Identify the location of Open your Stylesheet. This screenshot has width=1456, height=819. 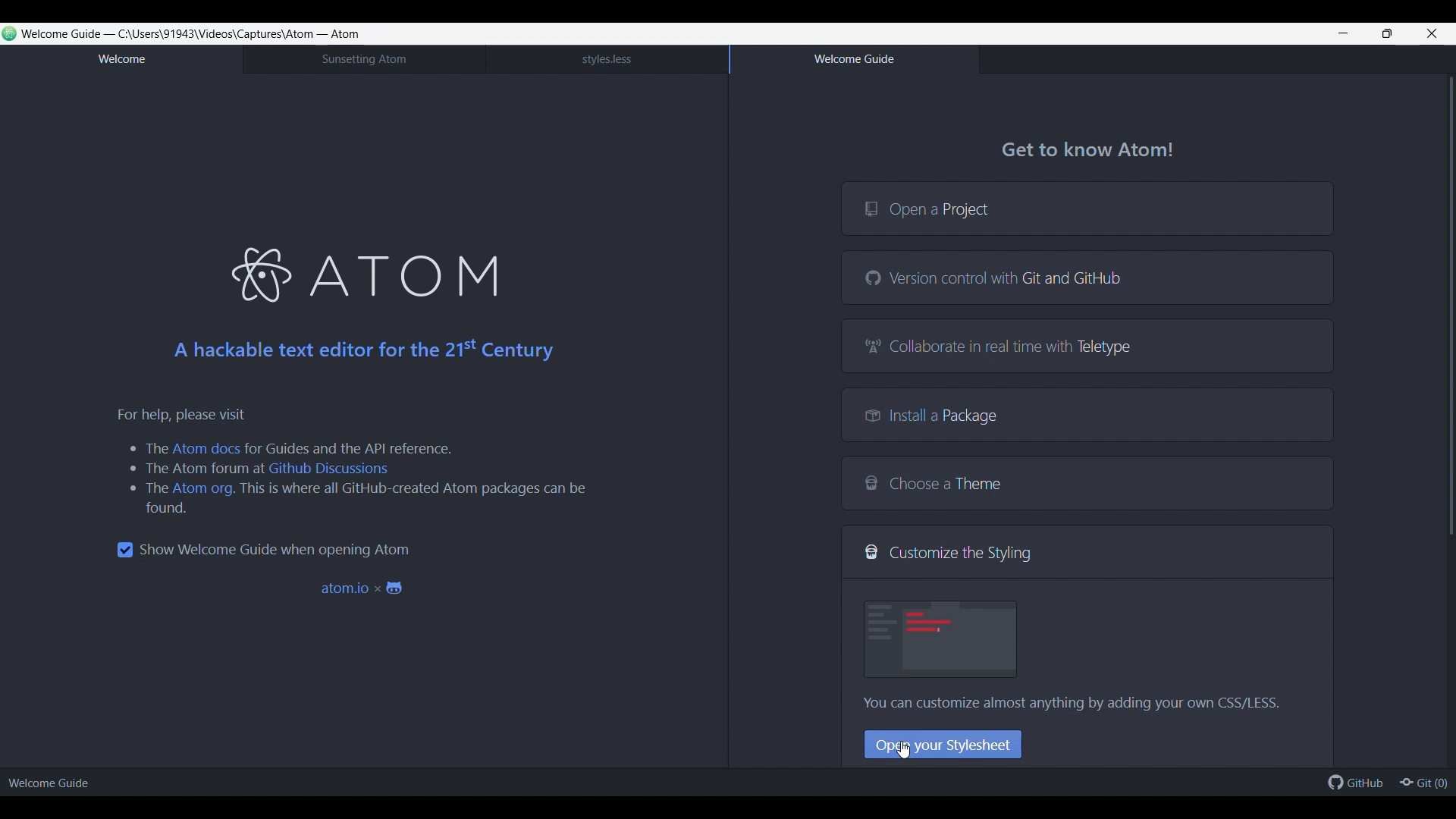
(943, 744).